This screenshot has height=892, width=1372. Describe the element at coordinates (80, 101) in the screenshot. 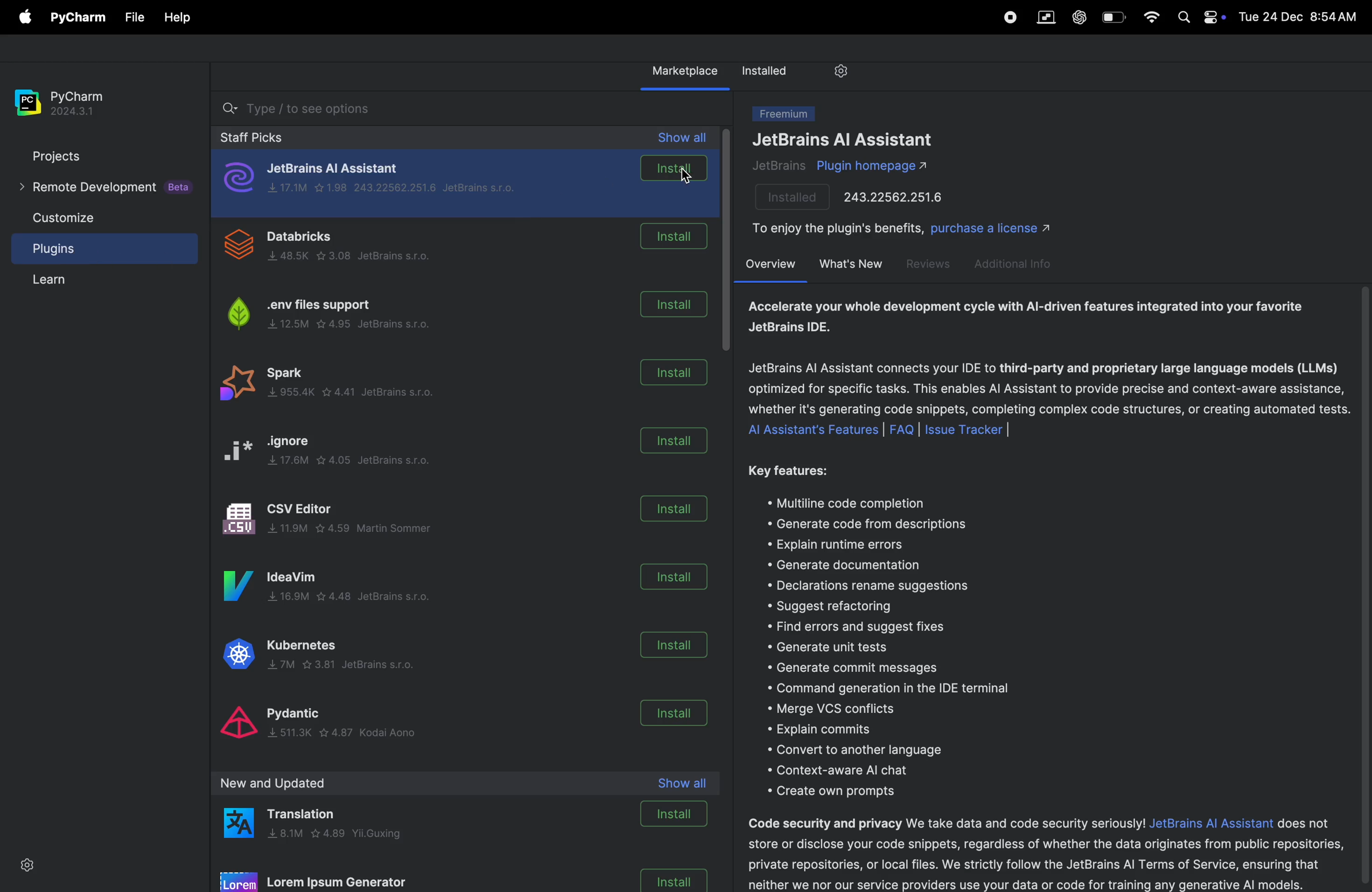

I see `pycharm version` at that location.